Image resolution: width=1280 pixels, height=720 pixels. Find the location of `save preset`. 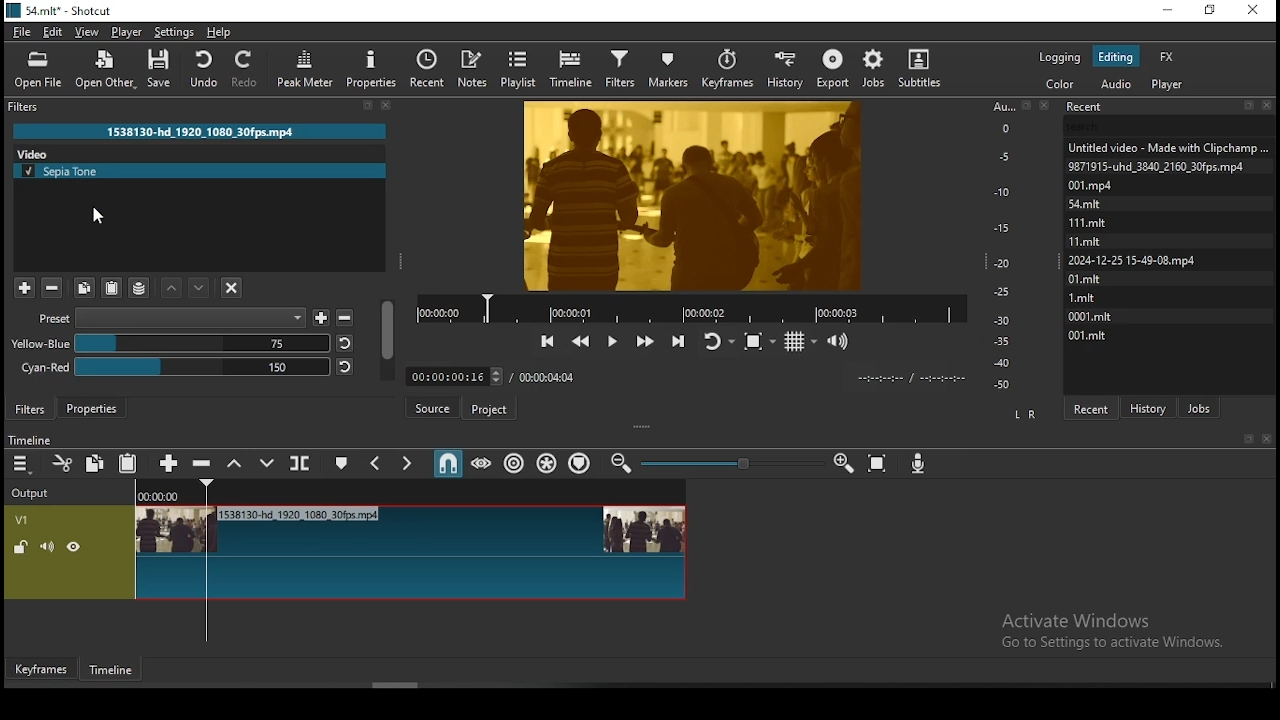

save preset is located at coordinates (321, 318).